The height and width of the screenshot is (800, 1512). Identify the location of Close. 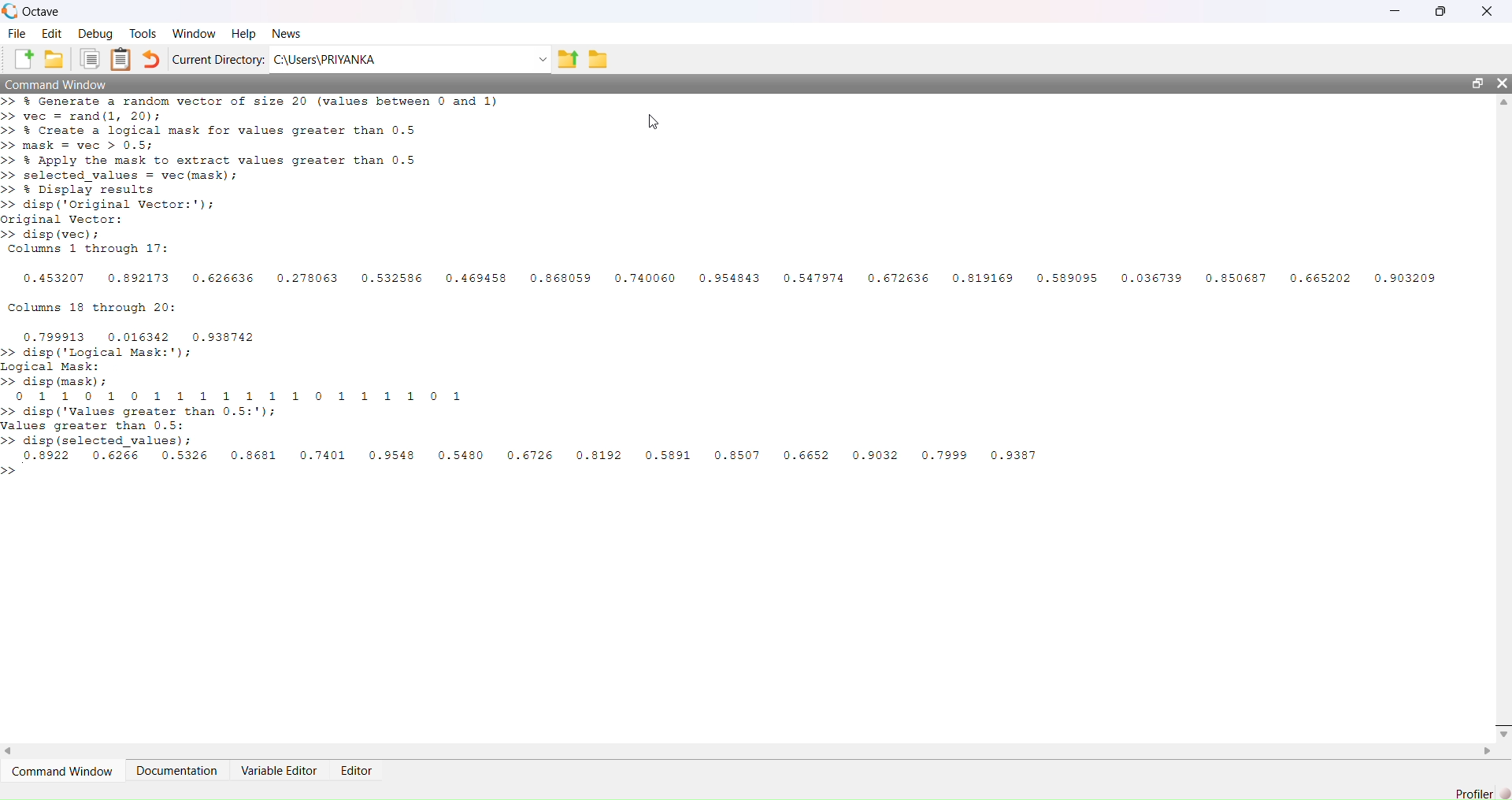
(1503, 83).